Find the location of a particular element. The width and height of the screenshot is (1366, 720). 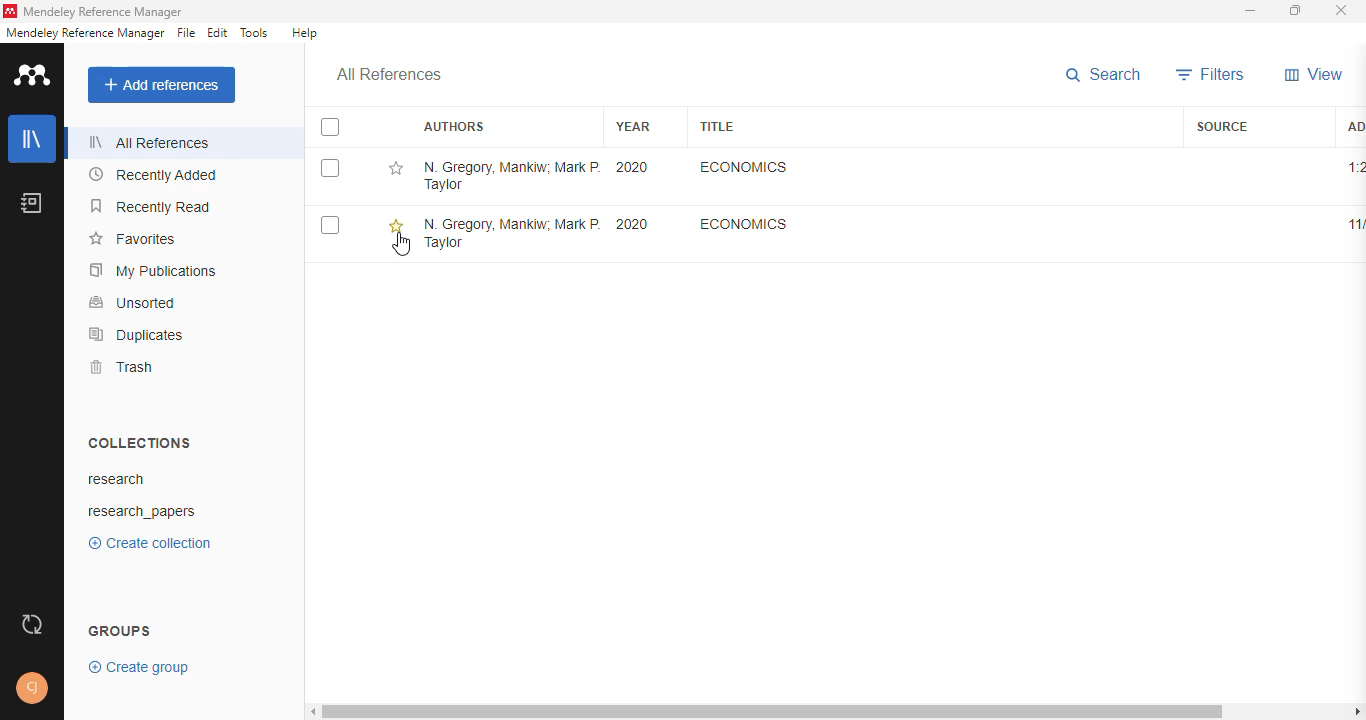

title is located at coordinates (715, 125).